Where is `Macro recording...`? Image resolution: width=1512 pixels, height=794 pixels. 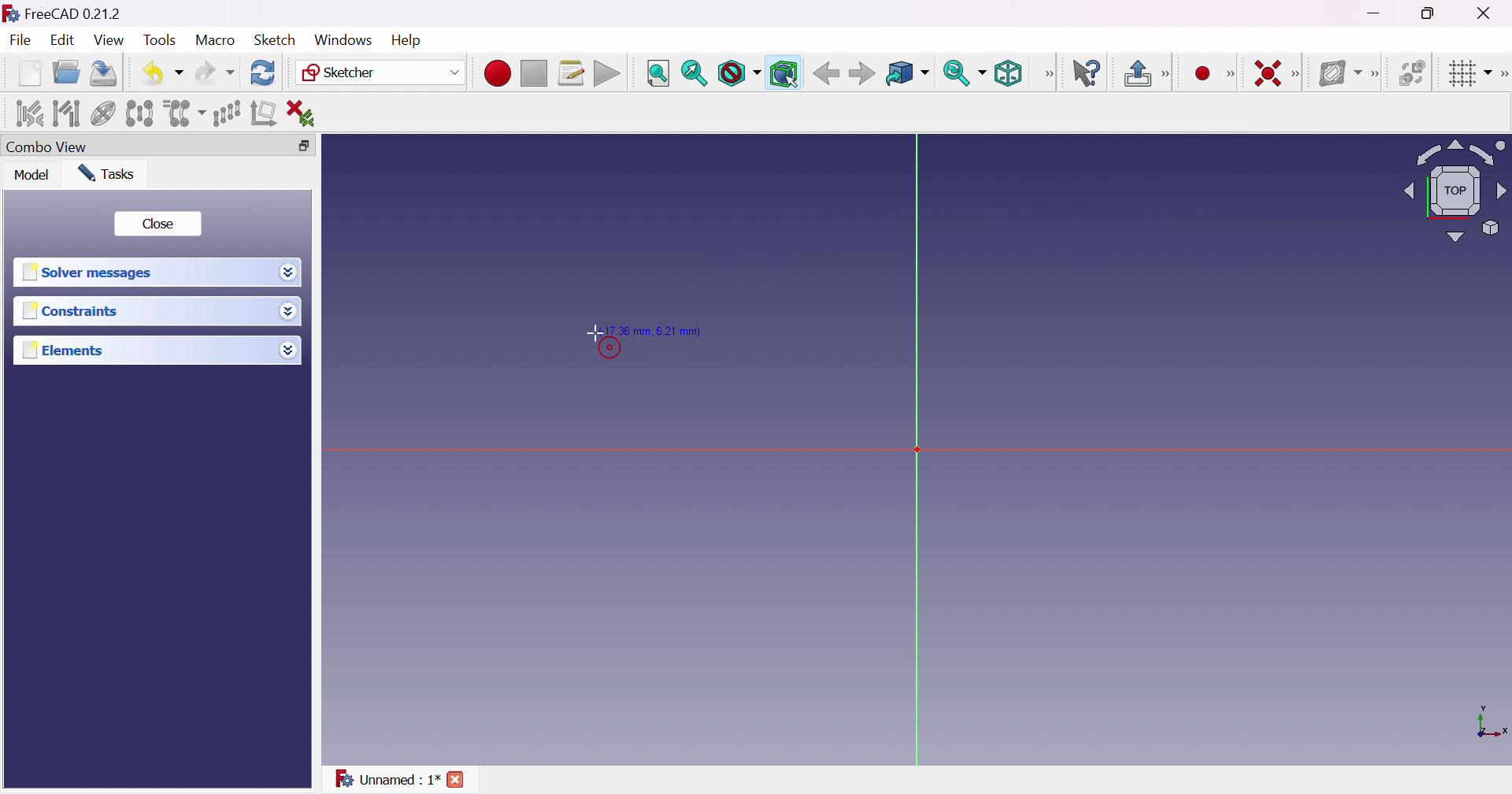 Macro recording... is located at coordinates (497, 74).